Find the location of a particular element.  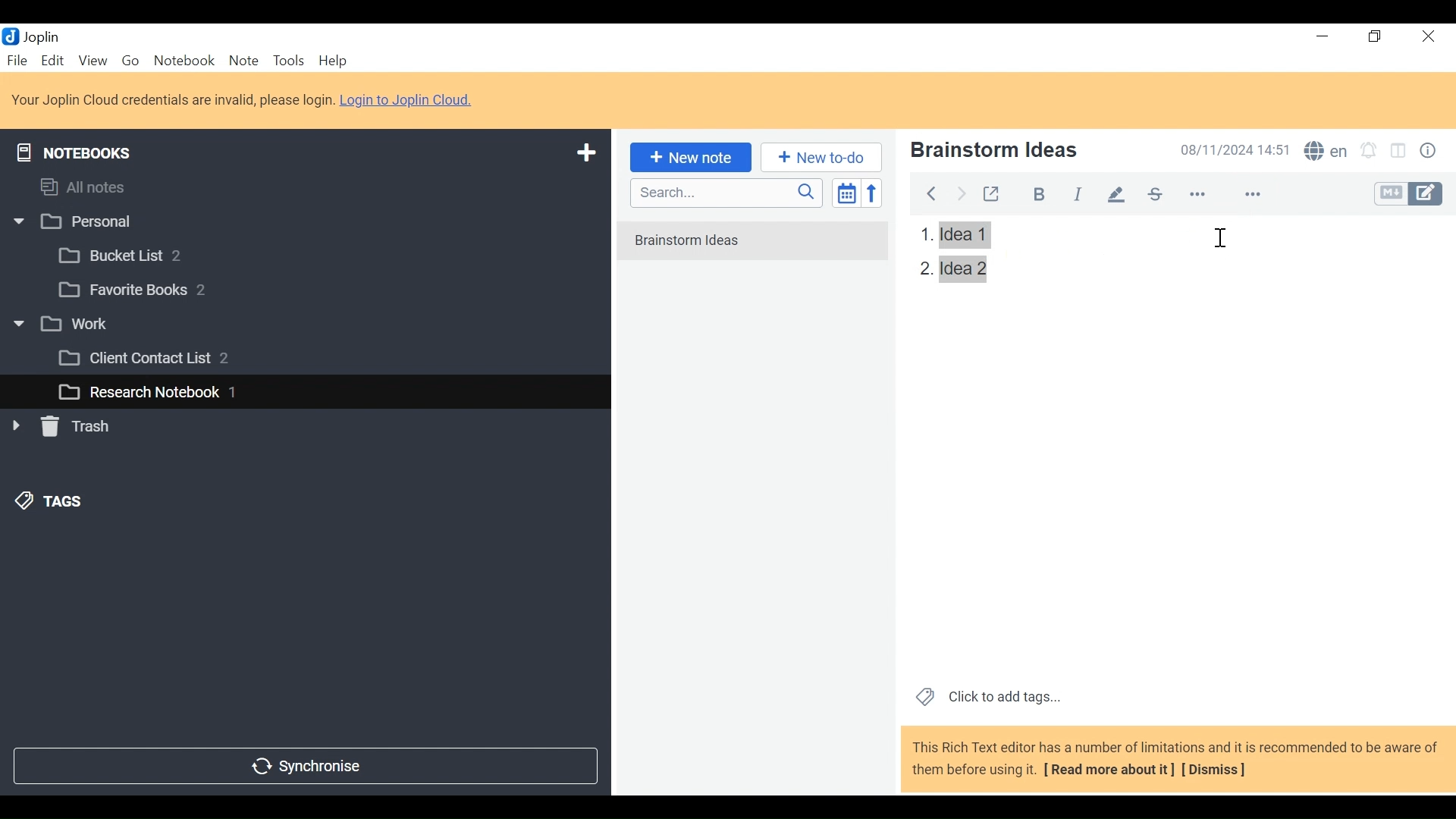

L_] Research Notebook is located at coordinates (138, 393).